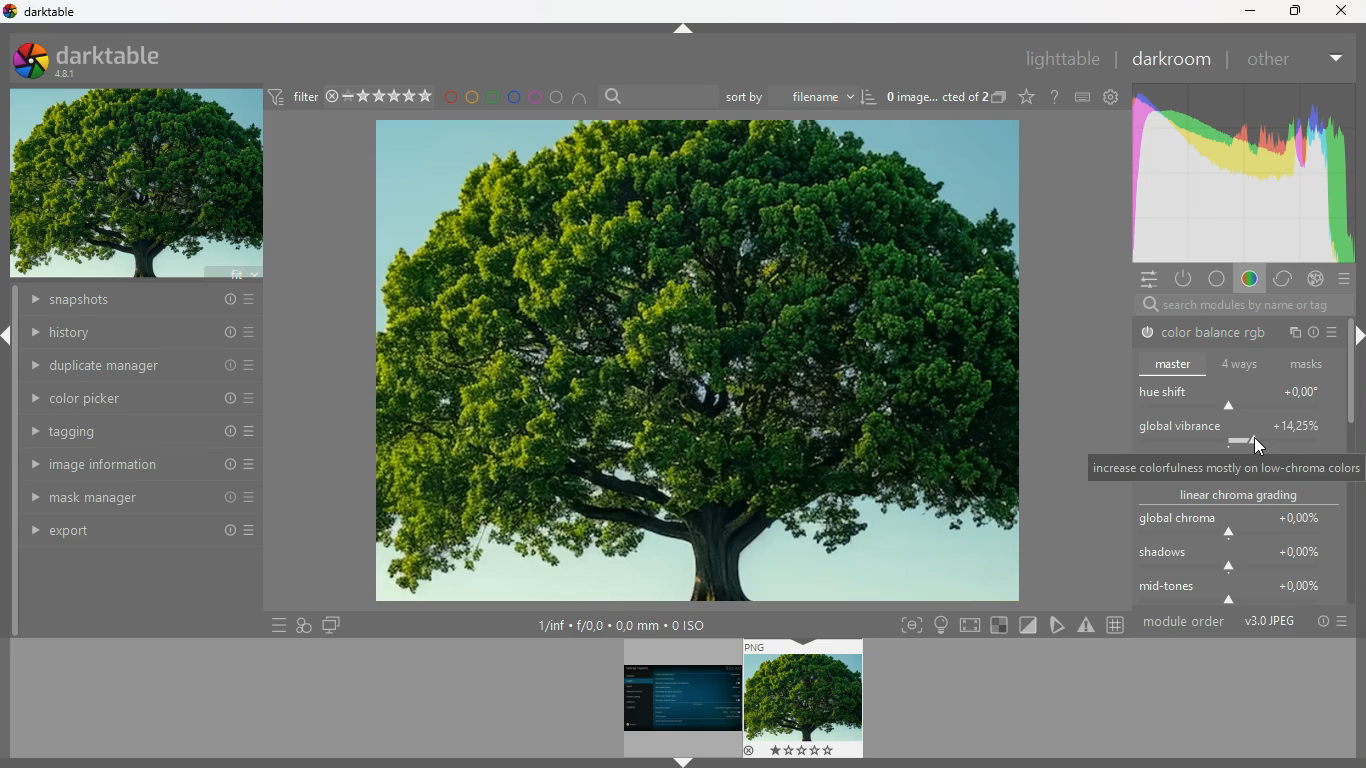 Image resolution: width=1366 pixels, height=768 pixels. Describe the element at coordinates (349, 96) in the screenshot. I see `filter` at that location.